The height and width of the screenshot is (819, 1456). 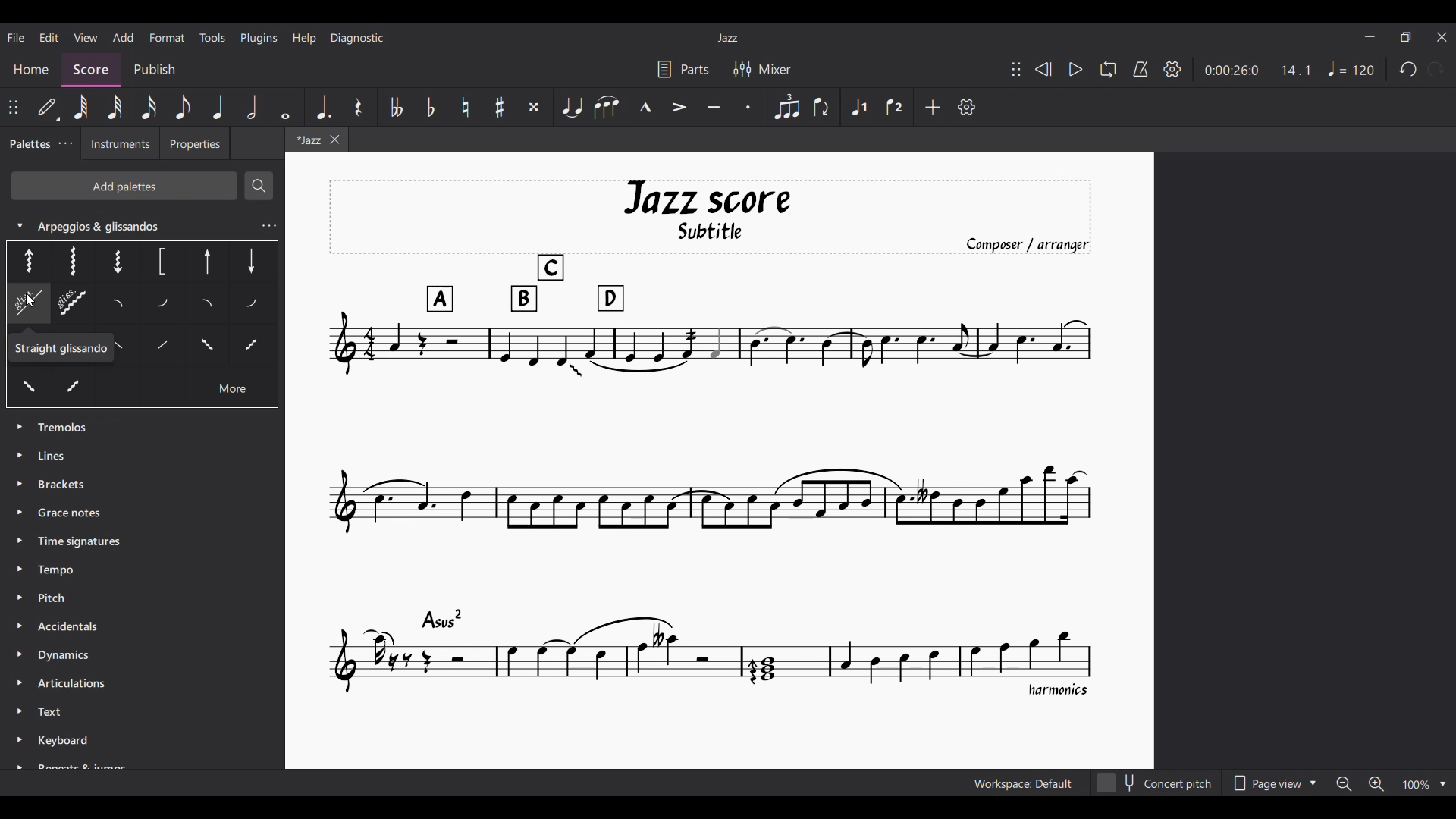 What do you see at coordinates (14, 107) in the screenshot?
I see `Change position` at bounding box center [14, 107].